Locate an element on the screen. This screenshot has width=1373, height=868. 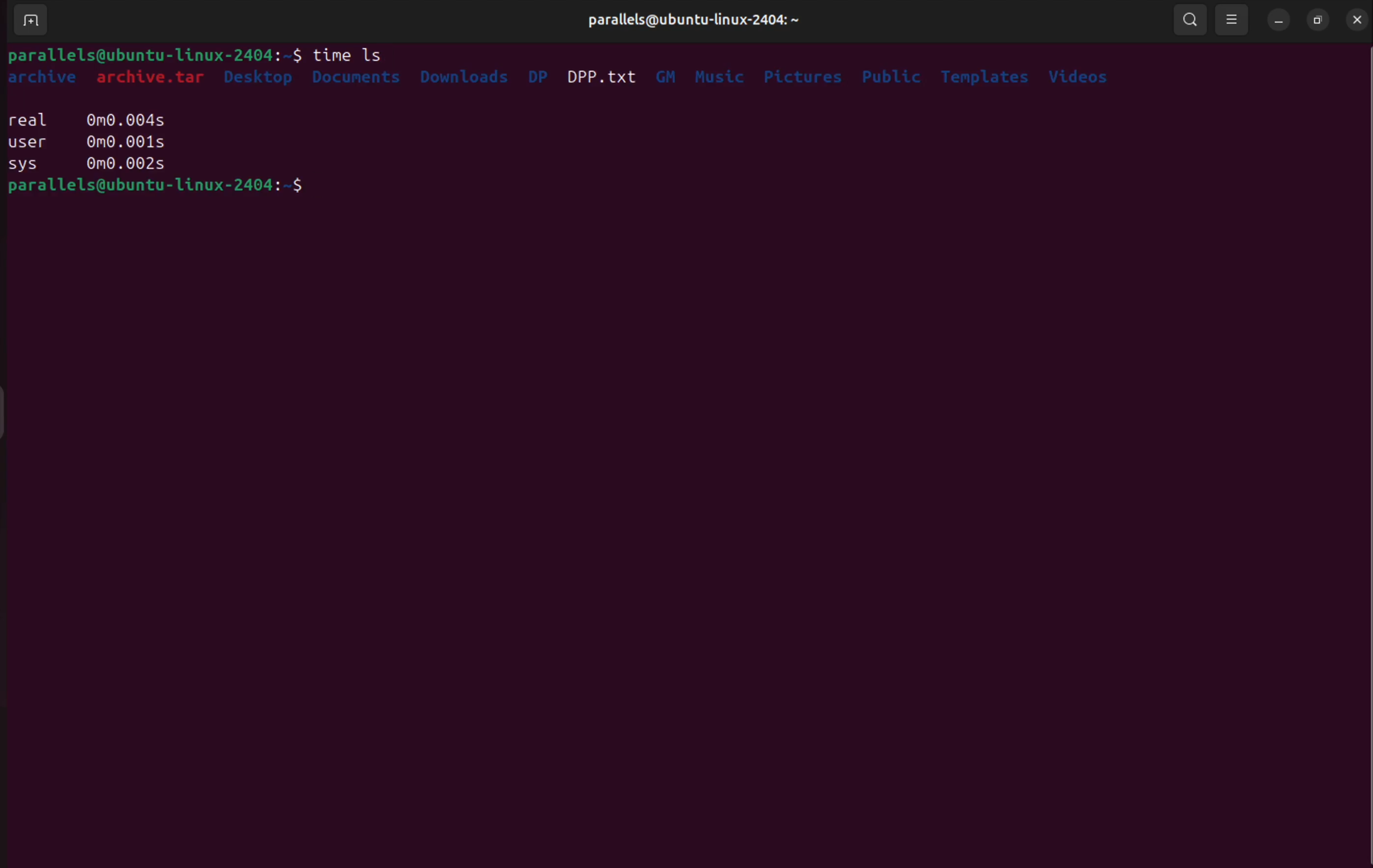
Desktop is located at coordinates (261, 80).